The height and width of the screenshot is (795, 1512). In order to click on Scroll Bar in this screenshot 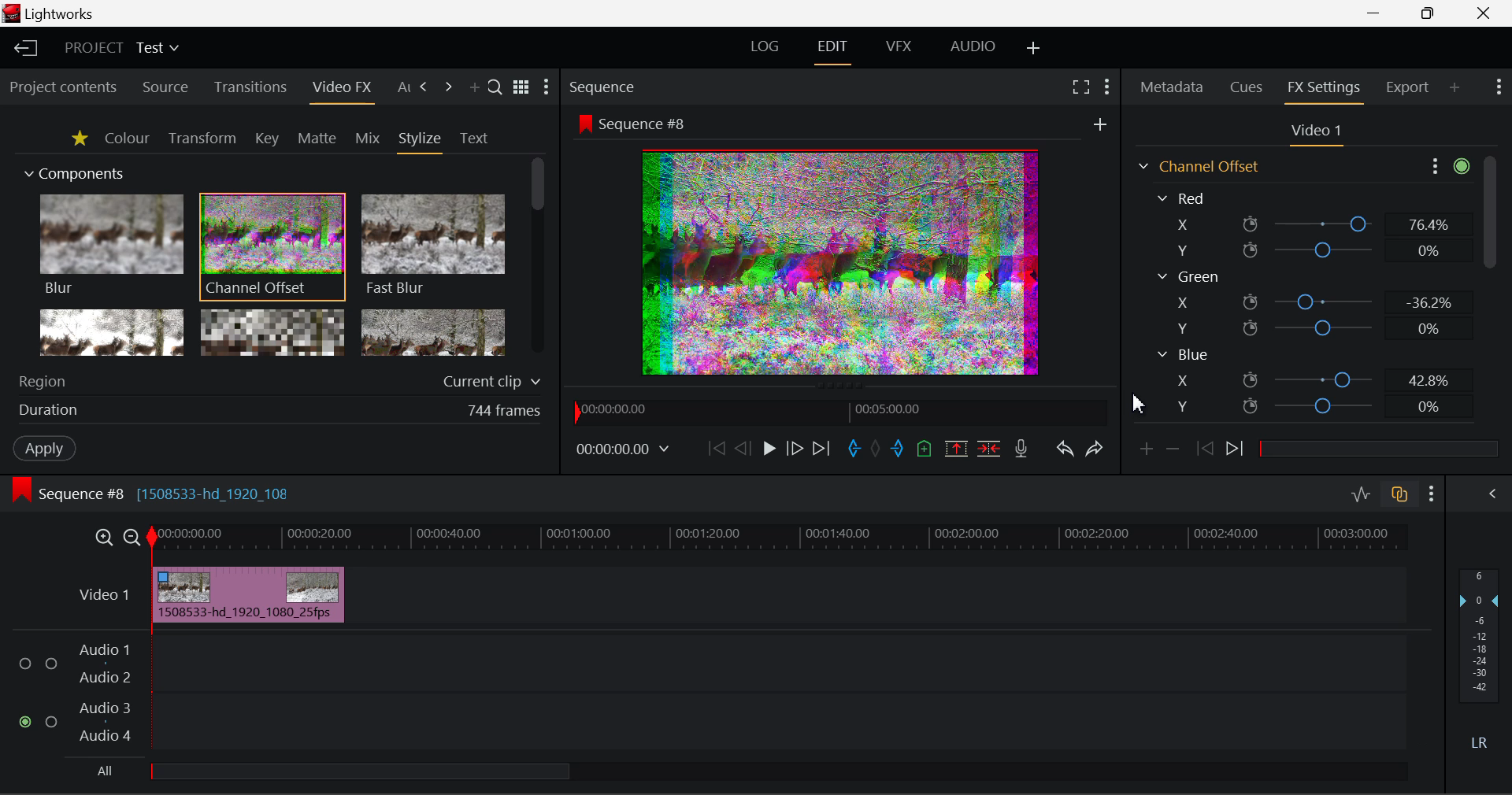, I will do `click(535, 256)`.